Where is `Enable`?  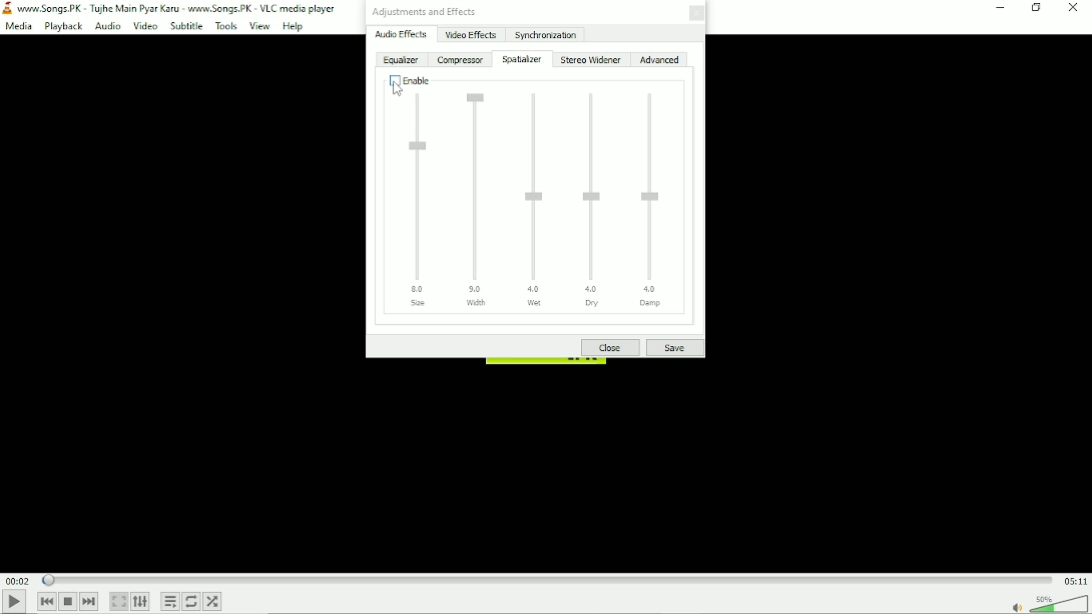 Enable is located at coordinates (406, 80).